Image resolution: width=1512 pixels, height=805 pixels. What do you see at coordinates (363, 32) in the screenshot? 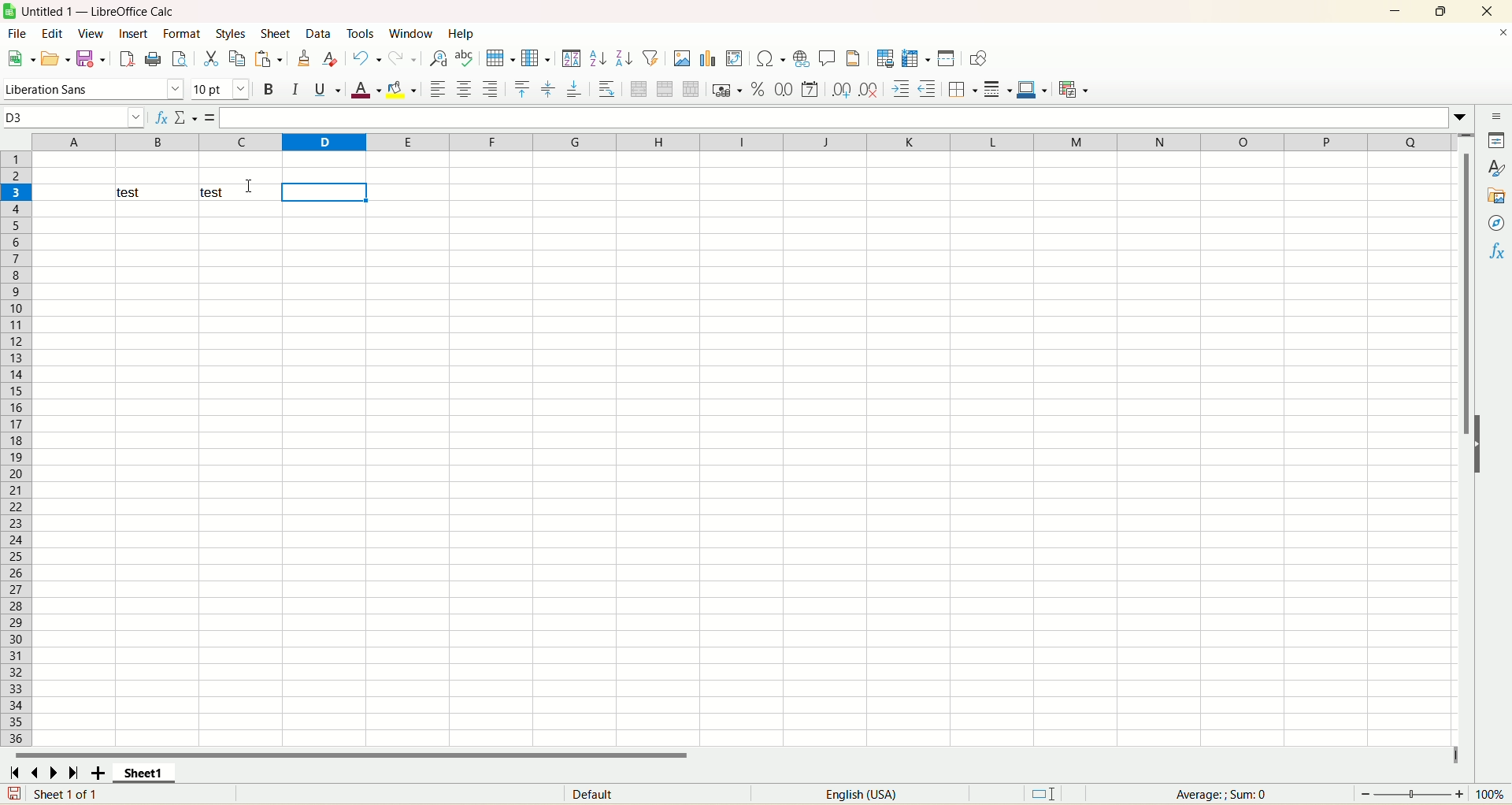
I see `tools` at bounding box center [363, 32].